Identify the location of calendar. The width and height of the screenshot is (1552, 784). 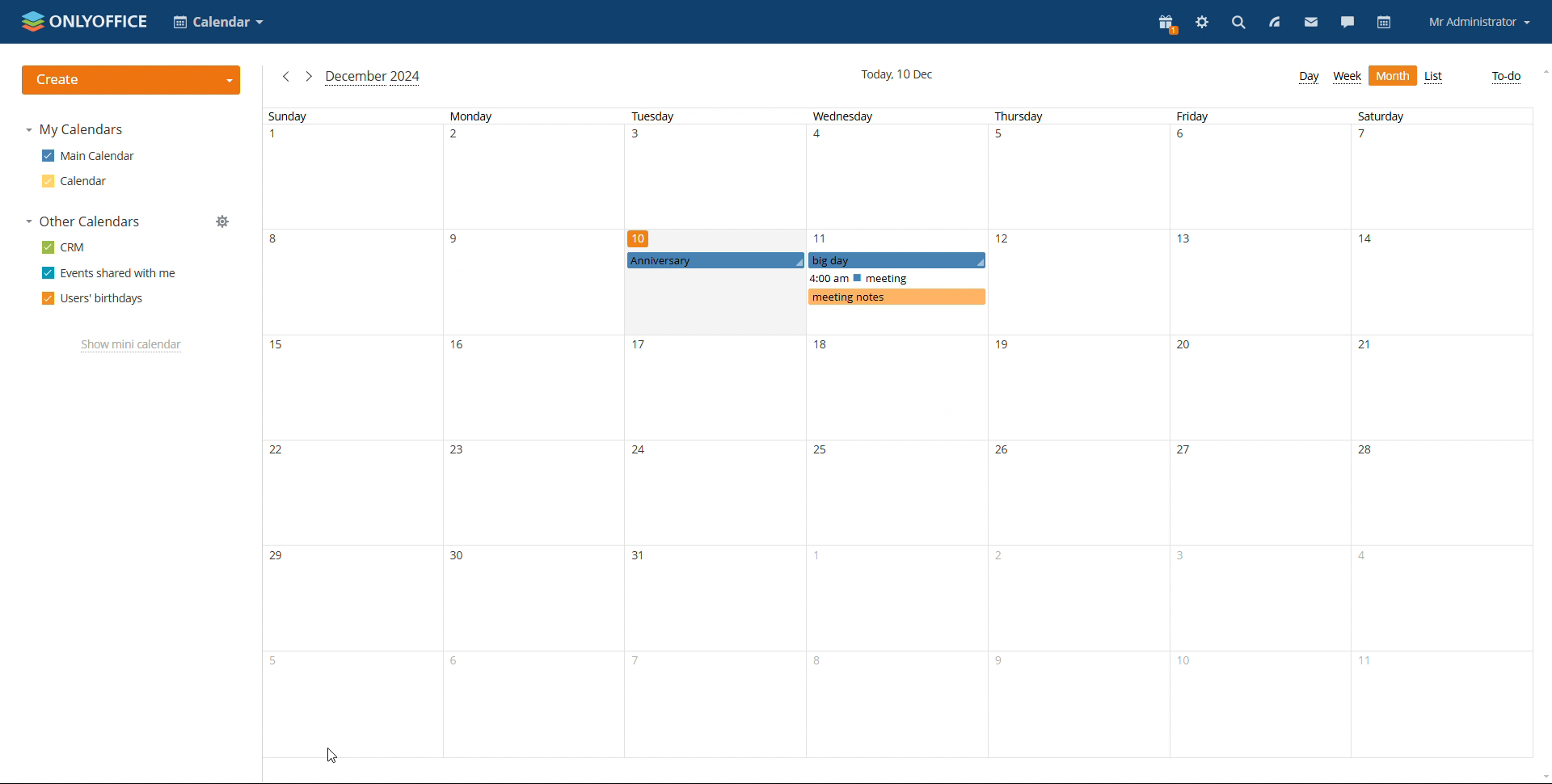
(74, 182).